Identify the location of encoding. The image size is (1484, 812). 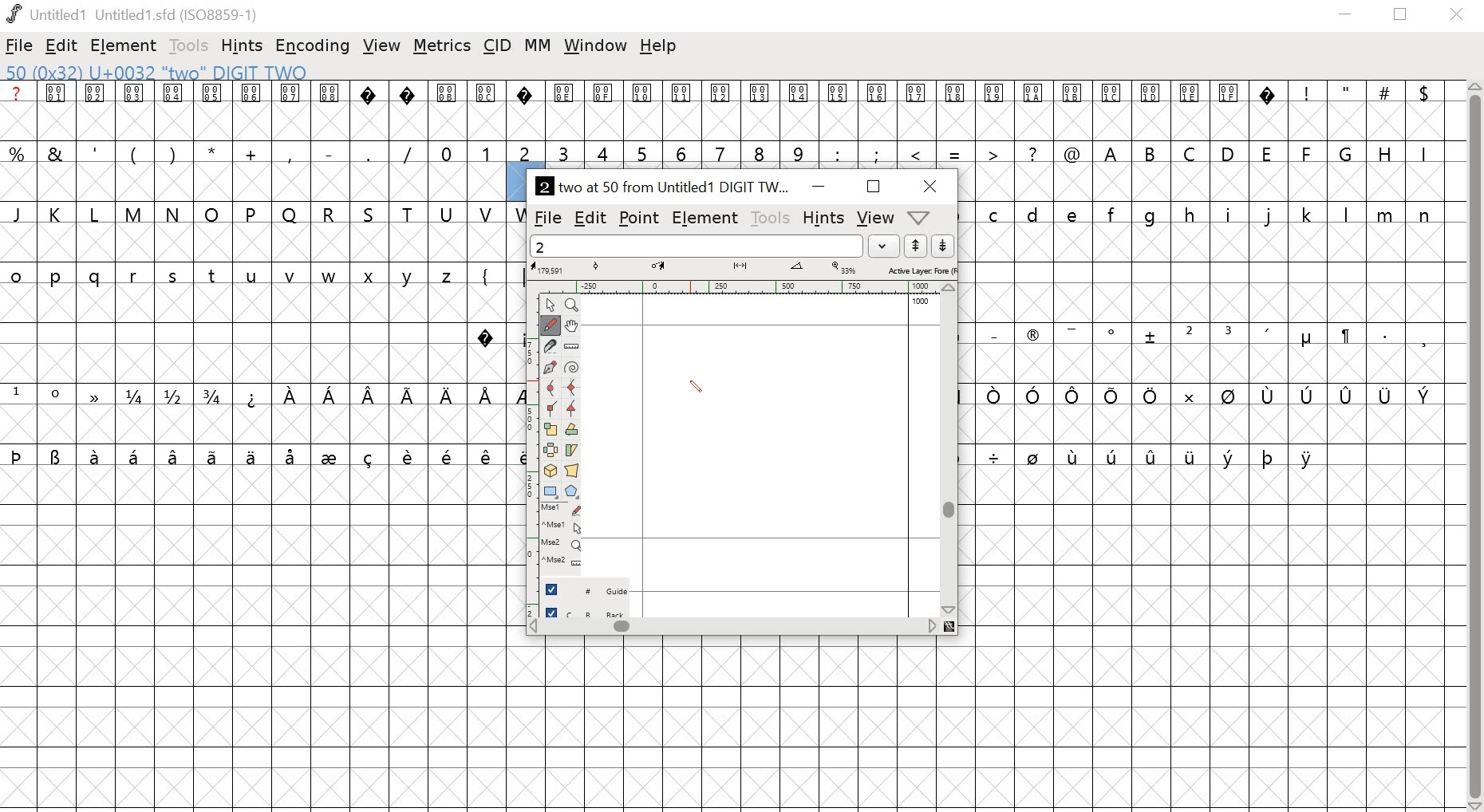
(314, 45).